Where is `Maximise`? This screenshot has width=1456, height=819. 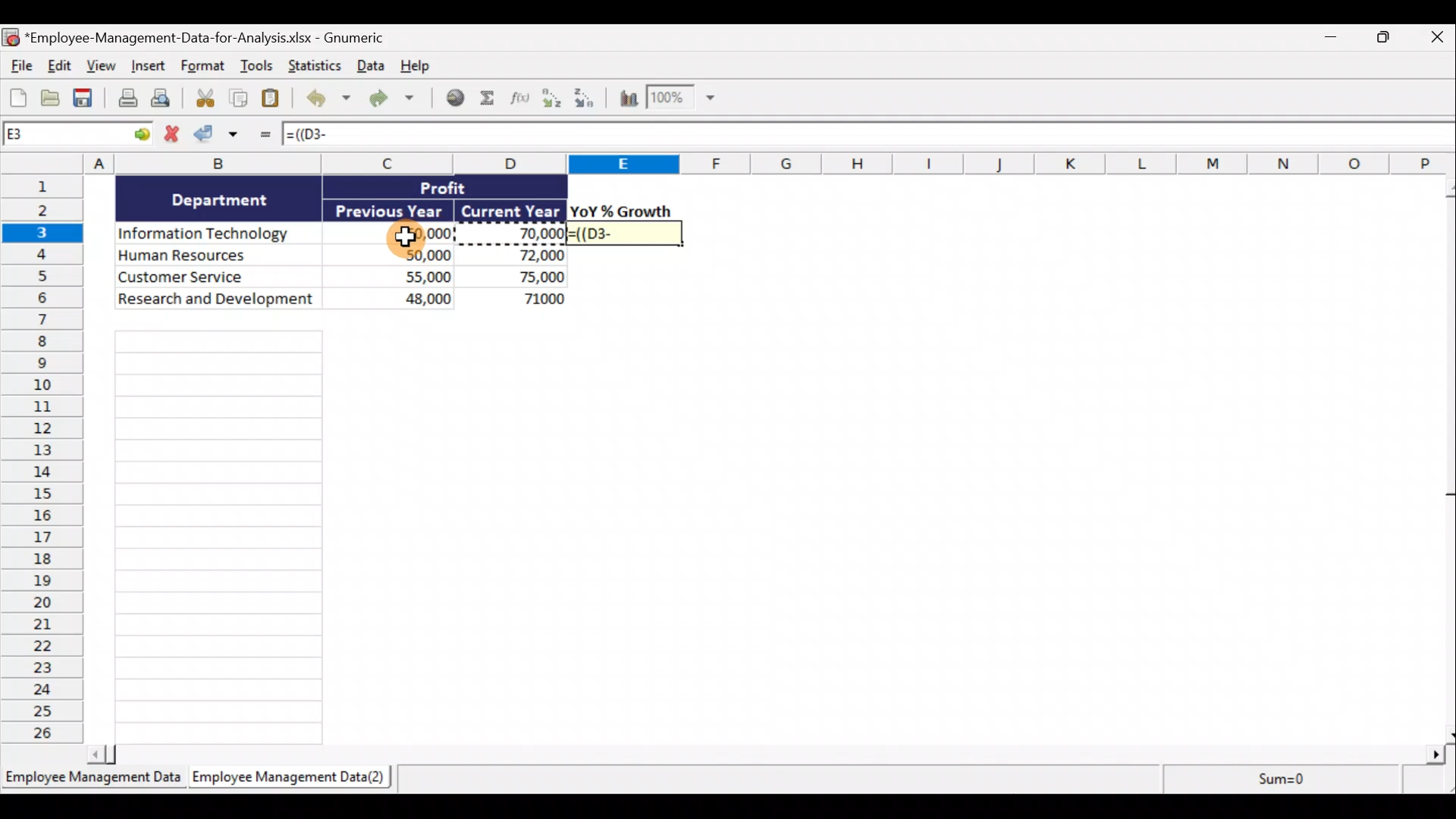 Maximise is located at coordinates (1389, 37).